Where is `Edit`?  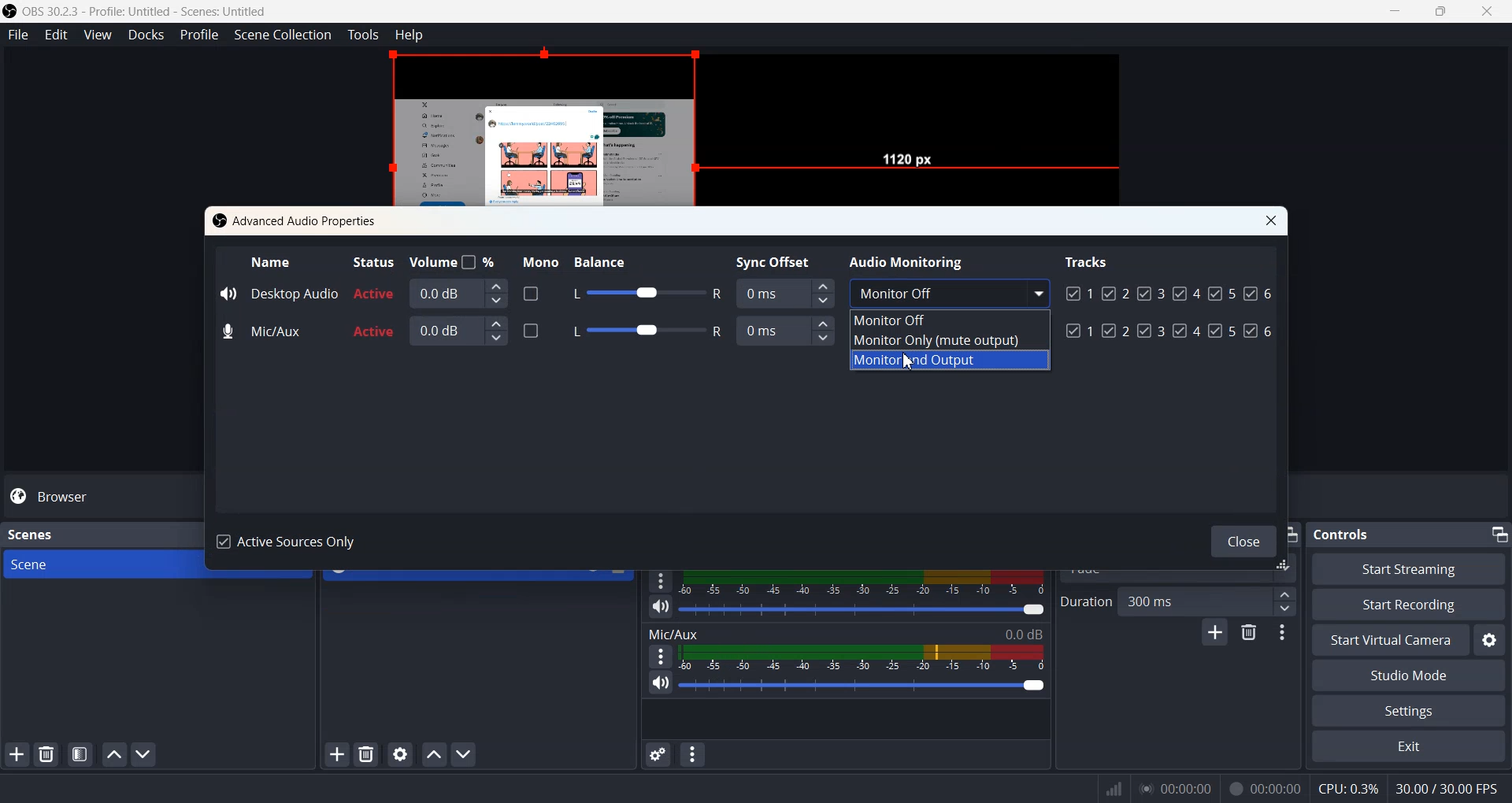 Edit is located at coordinates (57, 35).